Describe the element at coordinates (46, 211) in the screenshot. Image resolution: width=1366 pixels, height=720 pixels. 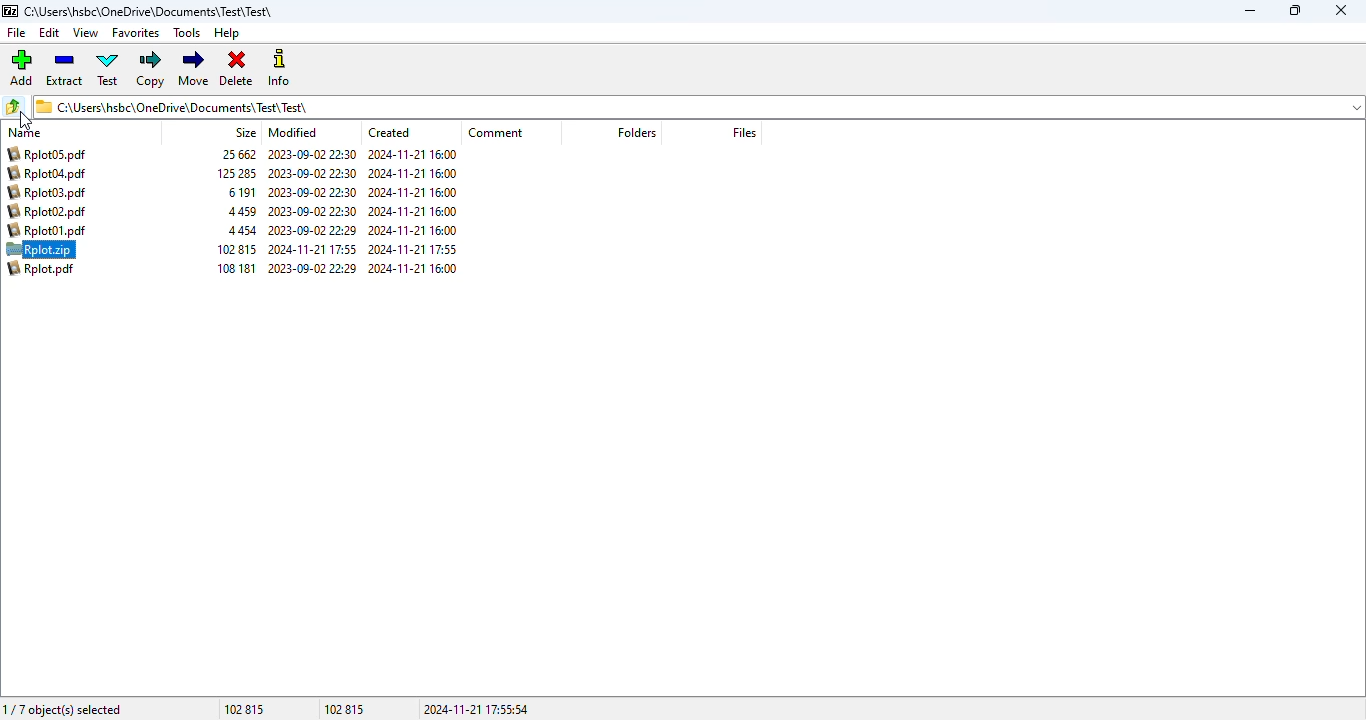
I see `Rplot02.pdf` at that location.